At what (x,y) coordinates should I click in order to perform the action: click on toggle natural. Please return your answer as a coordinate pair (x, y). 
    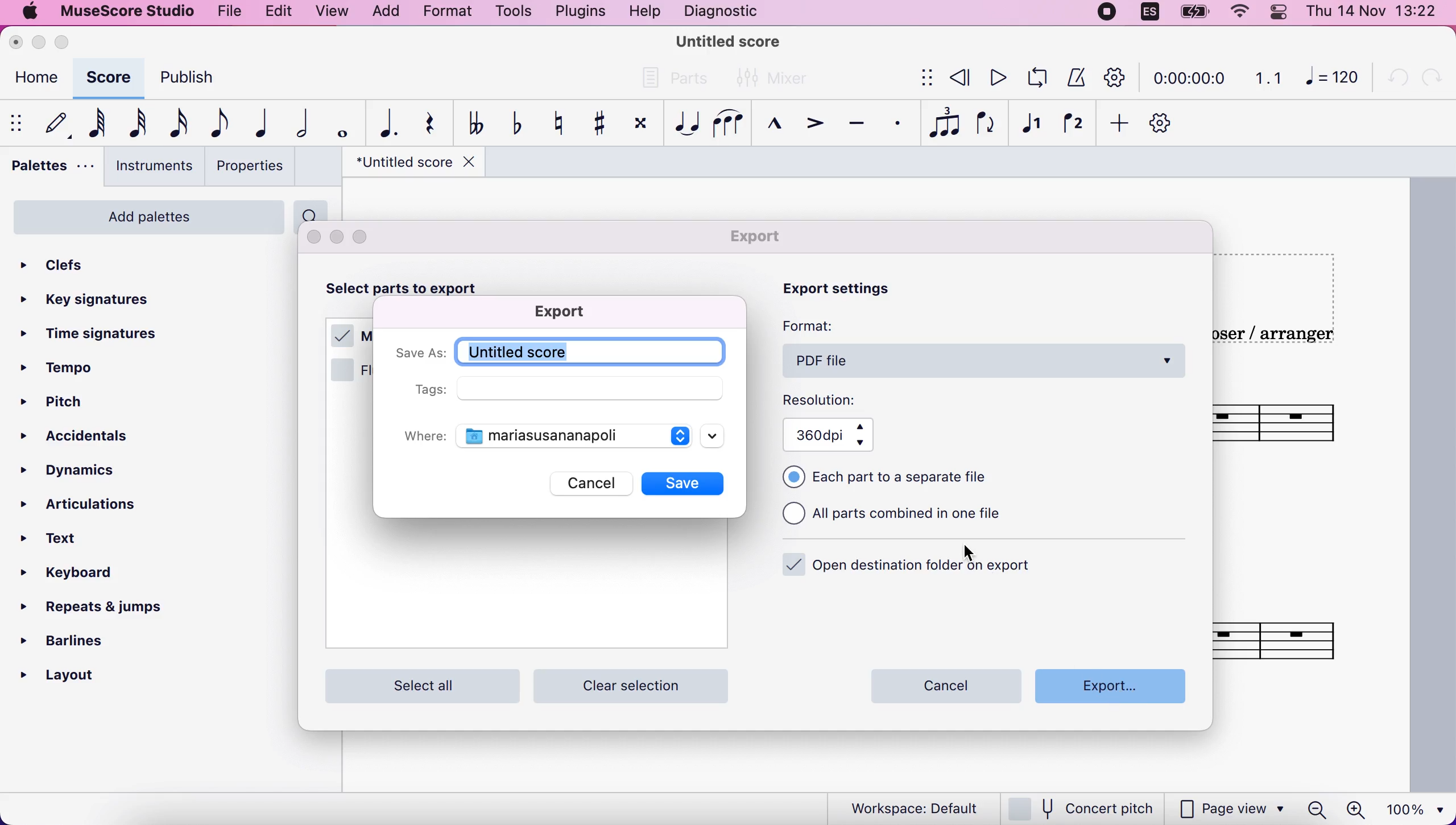
    Looking at the image, I should click on (556, 126).